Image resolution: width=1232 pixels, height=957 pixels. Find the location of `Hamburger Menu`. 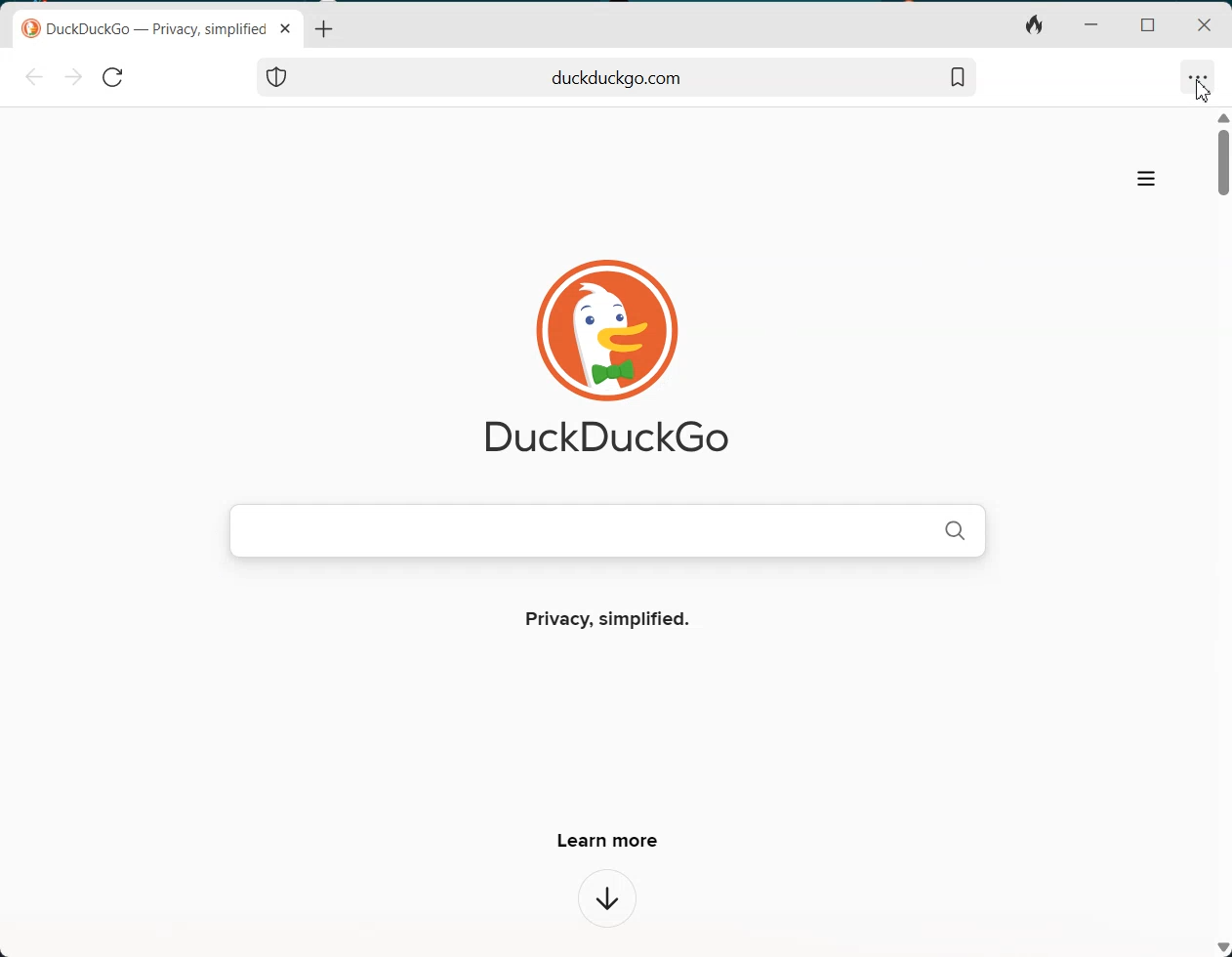

Hamburger Menu is located at coordinates (1146, 179).